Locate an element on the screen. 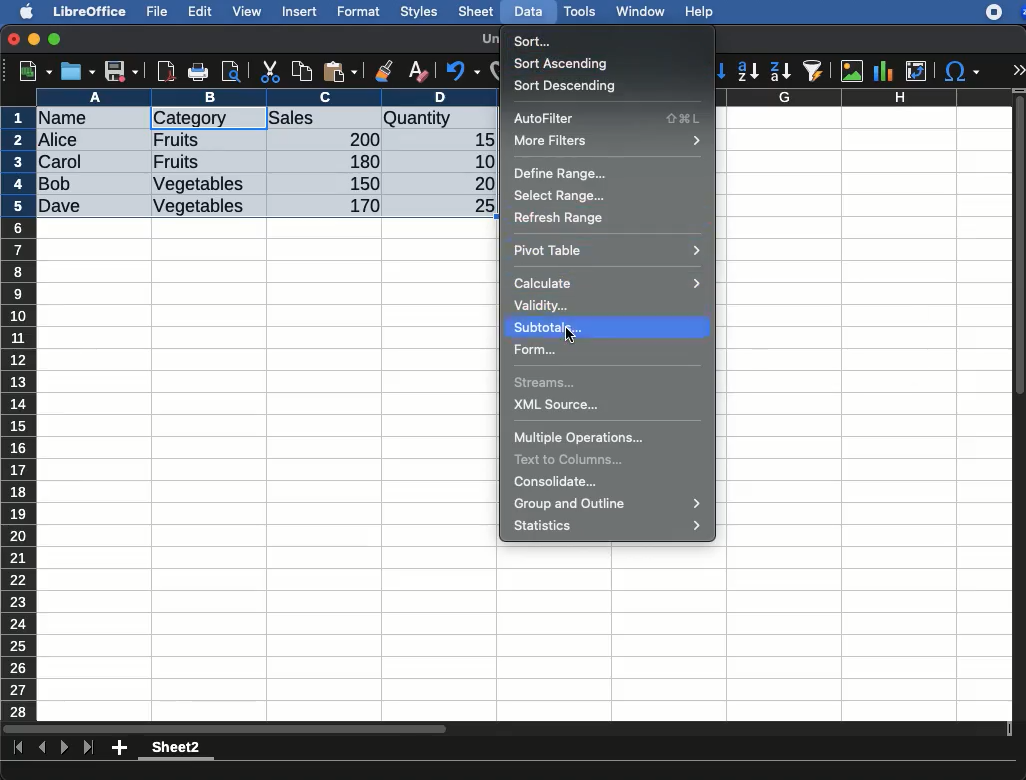  Alice is located at coordinates (60, 141).